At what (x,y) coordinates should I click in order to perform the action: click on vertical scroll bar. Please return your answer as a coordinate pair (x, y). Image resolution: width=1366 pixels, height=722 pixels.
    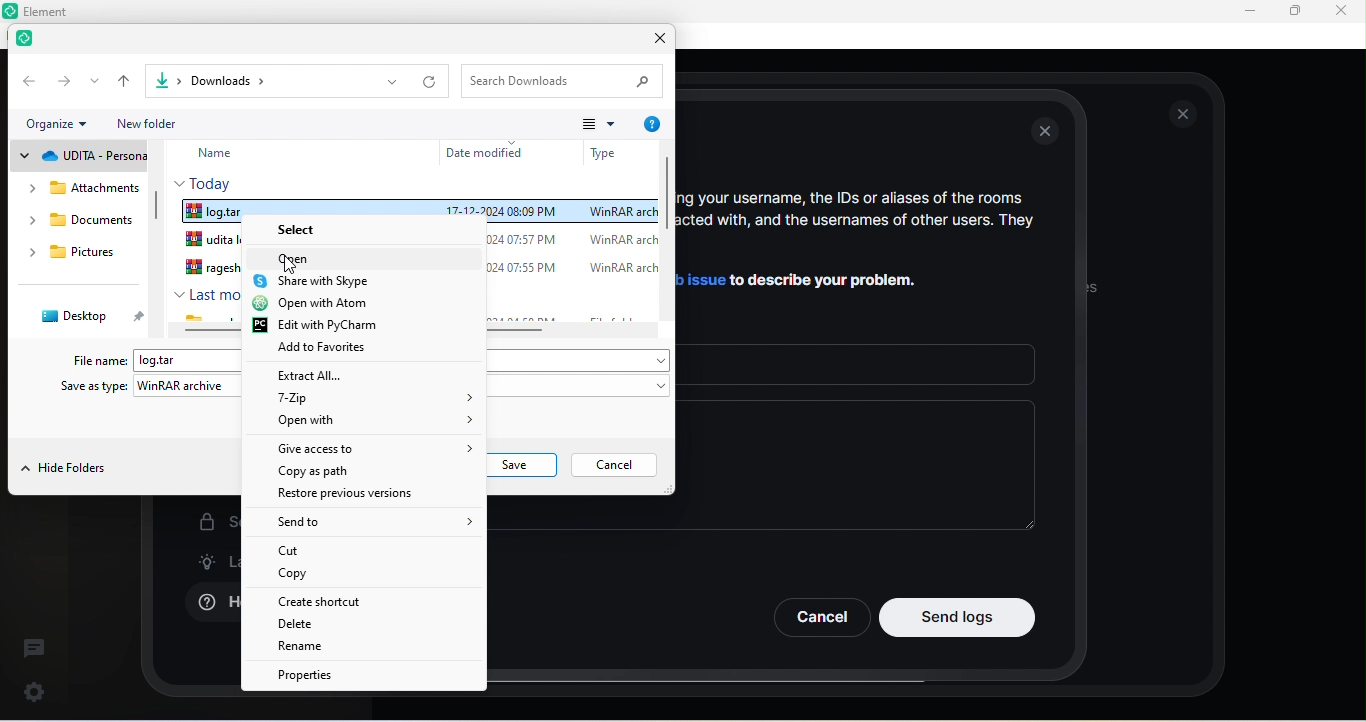
    Looking at the image, I should click on (667, 236).